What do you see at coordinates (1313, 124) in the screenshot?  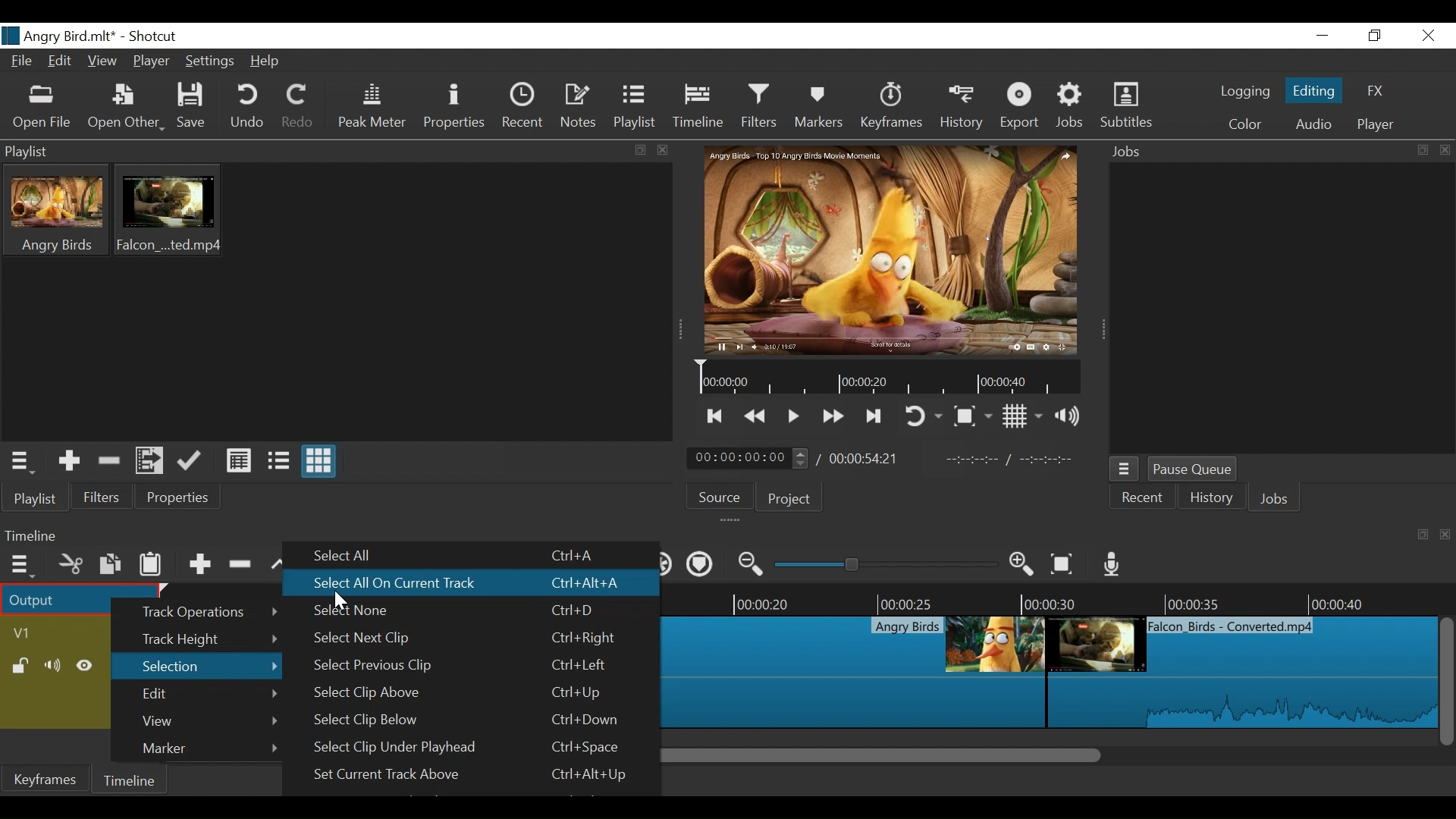 I see `Audio` at bounding box center [1313, 124].